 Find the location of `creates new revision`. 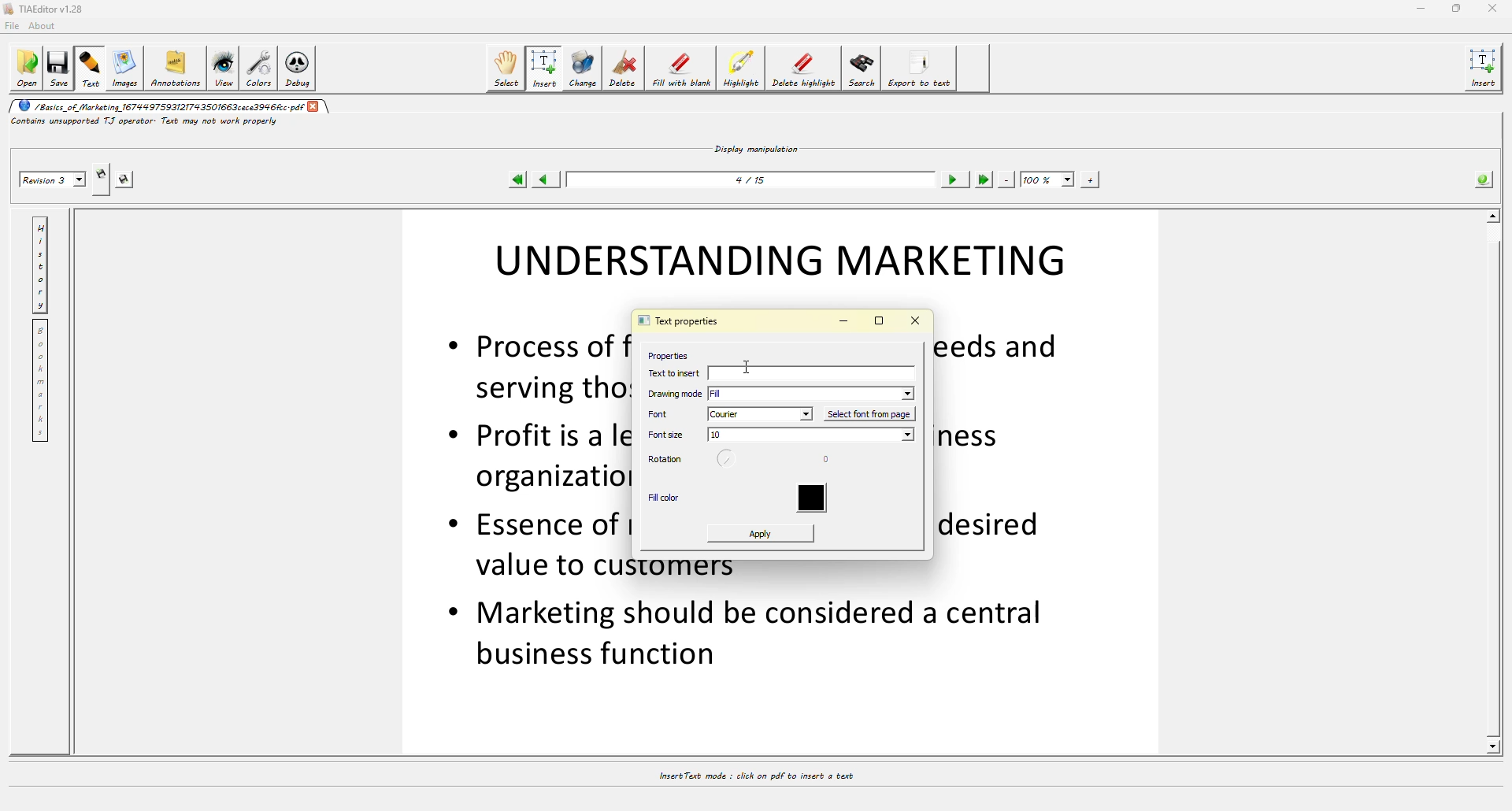

creates new revision is located at coordinates (100, 172).